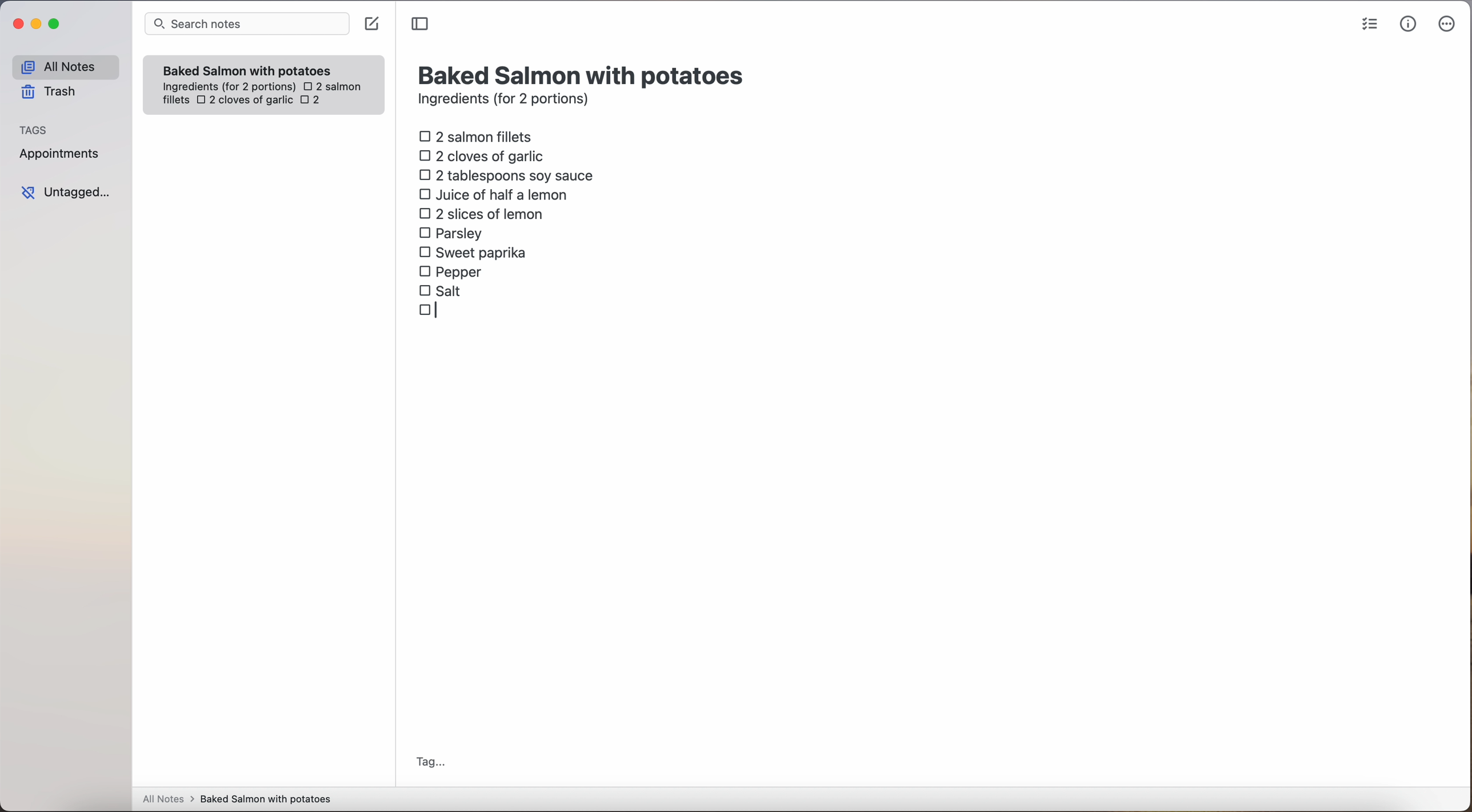  I want to click on fillets, so click(177, 101).